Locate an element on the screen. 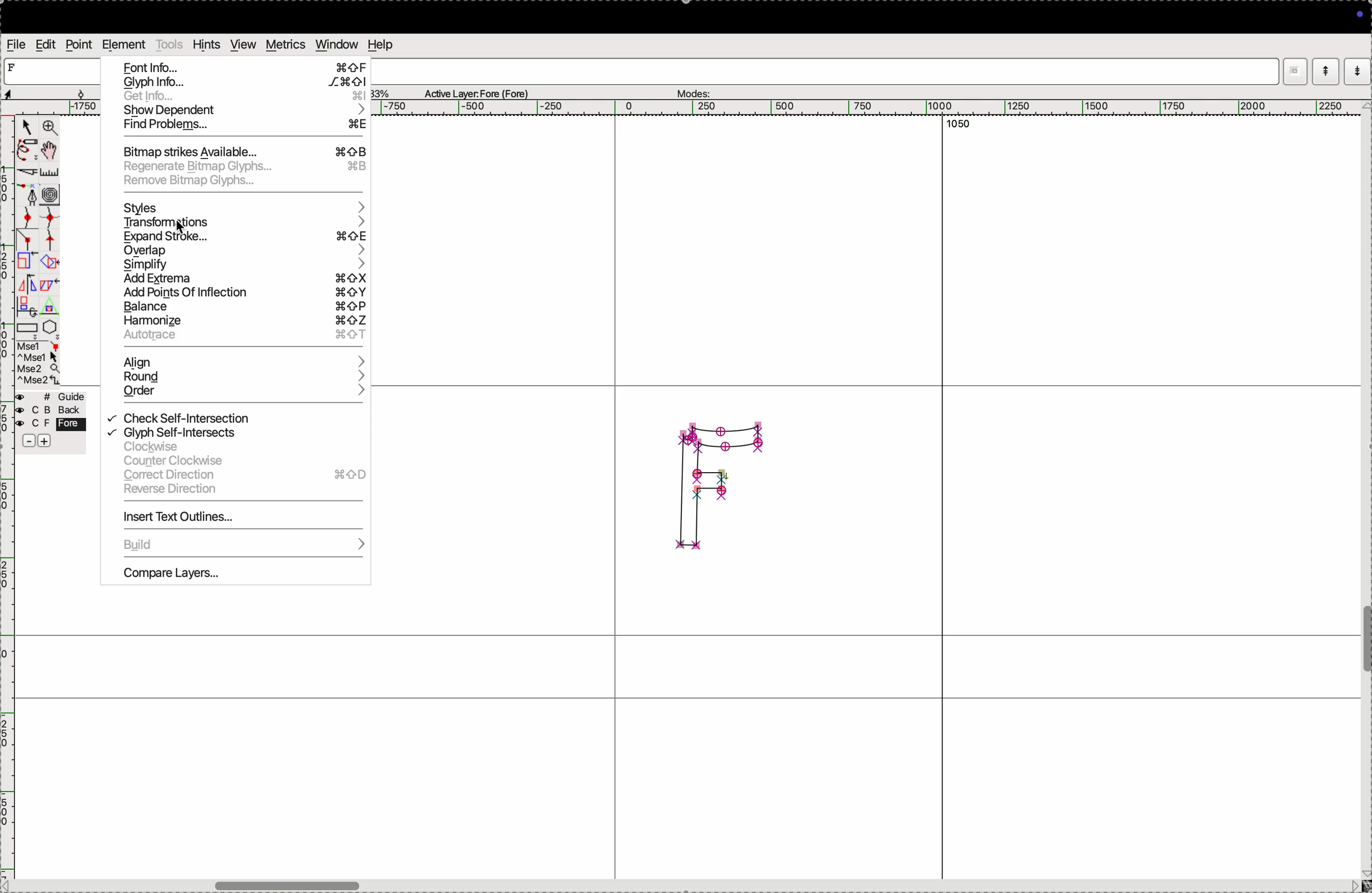  element is located at coordinates (123, 44).